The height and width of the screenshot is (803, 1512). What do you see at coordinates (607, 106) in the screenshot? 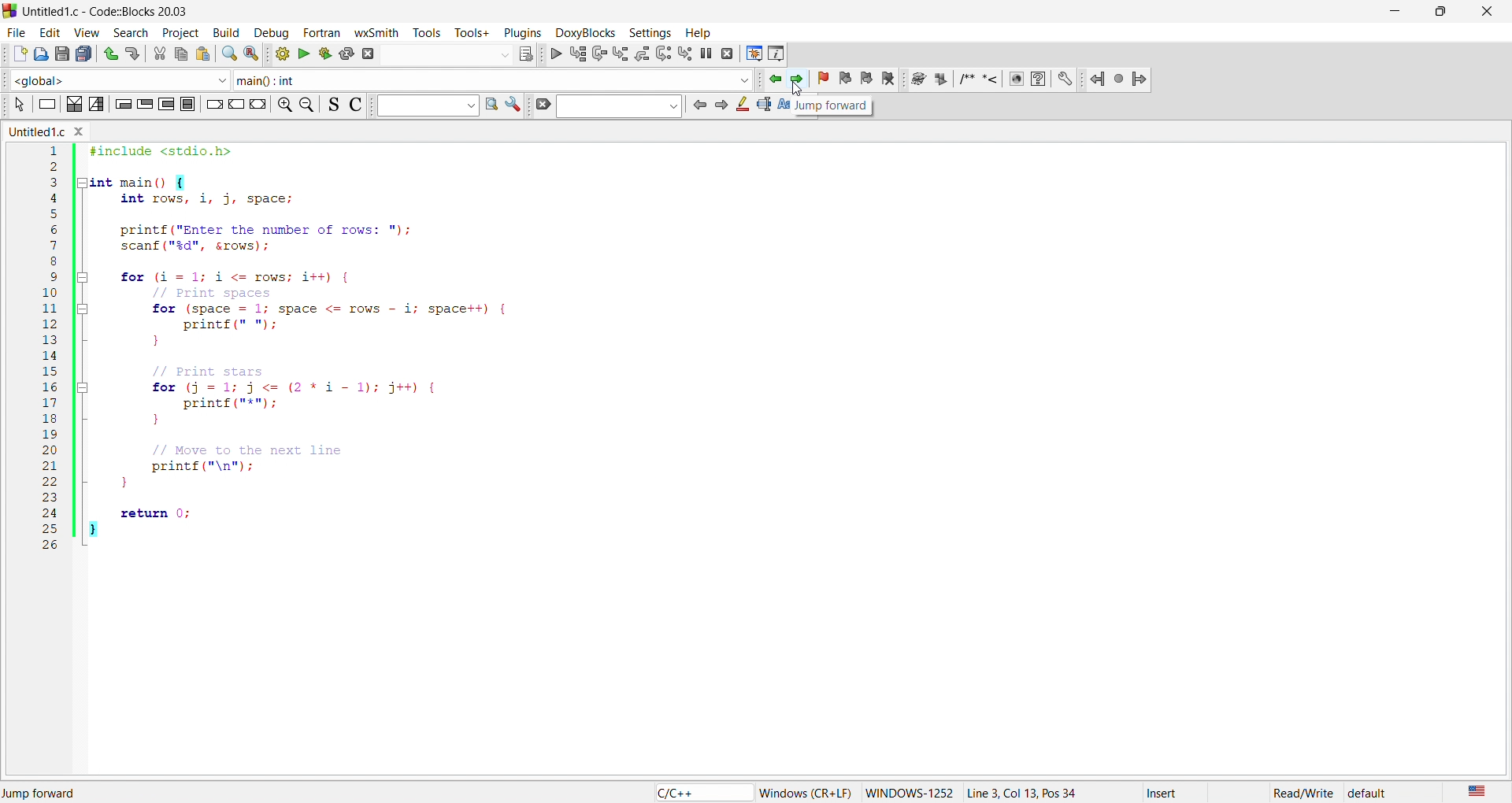
I see `search bar` at bounding box center [607, 106].